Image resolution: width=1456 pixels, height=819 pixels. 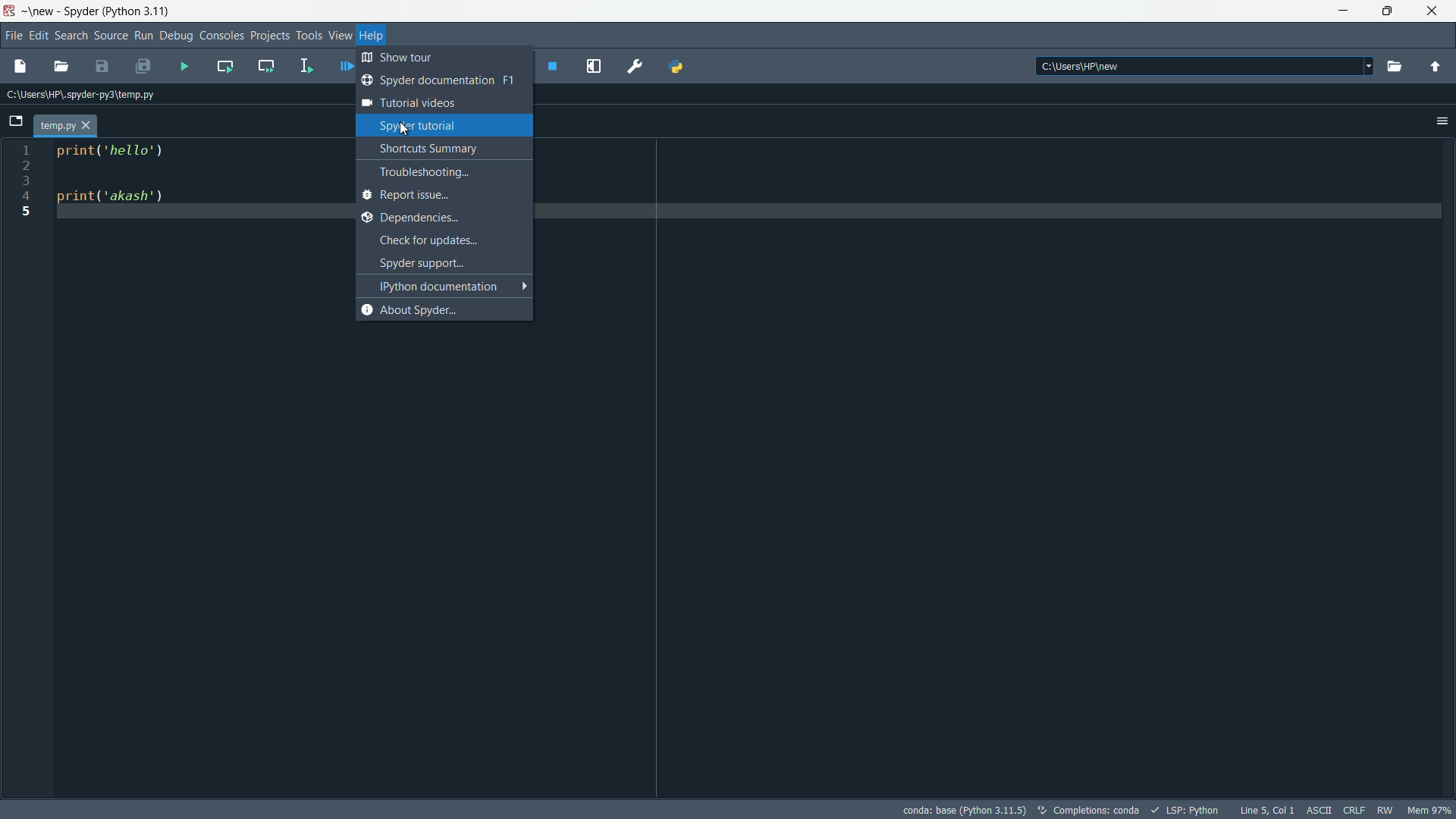 What do you see at coordinates (1147, 67) in the screenshot?
I see `C:\USERS\HP\NEW` at bounding box center [1147, 67].